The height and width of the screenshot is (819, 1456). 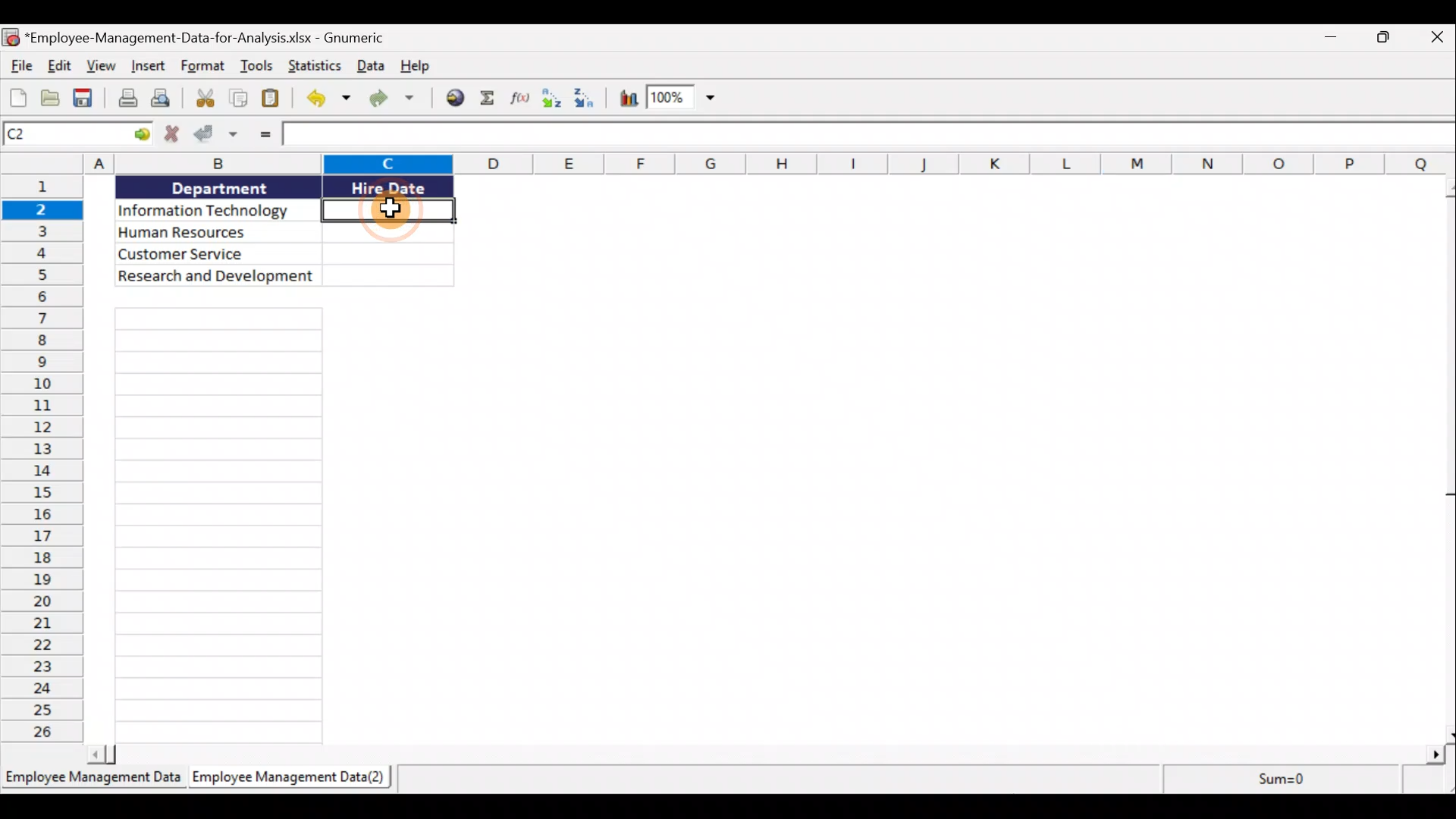 What do you see at coordinates (457, 96) in the screenshot?
I see `Insert hyperlink` at bounding box center [457, 96].